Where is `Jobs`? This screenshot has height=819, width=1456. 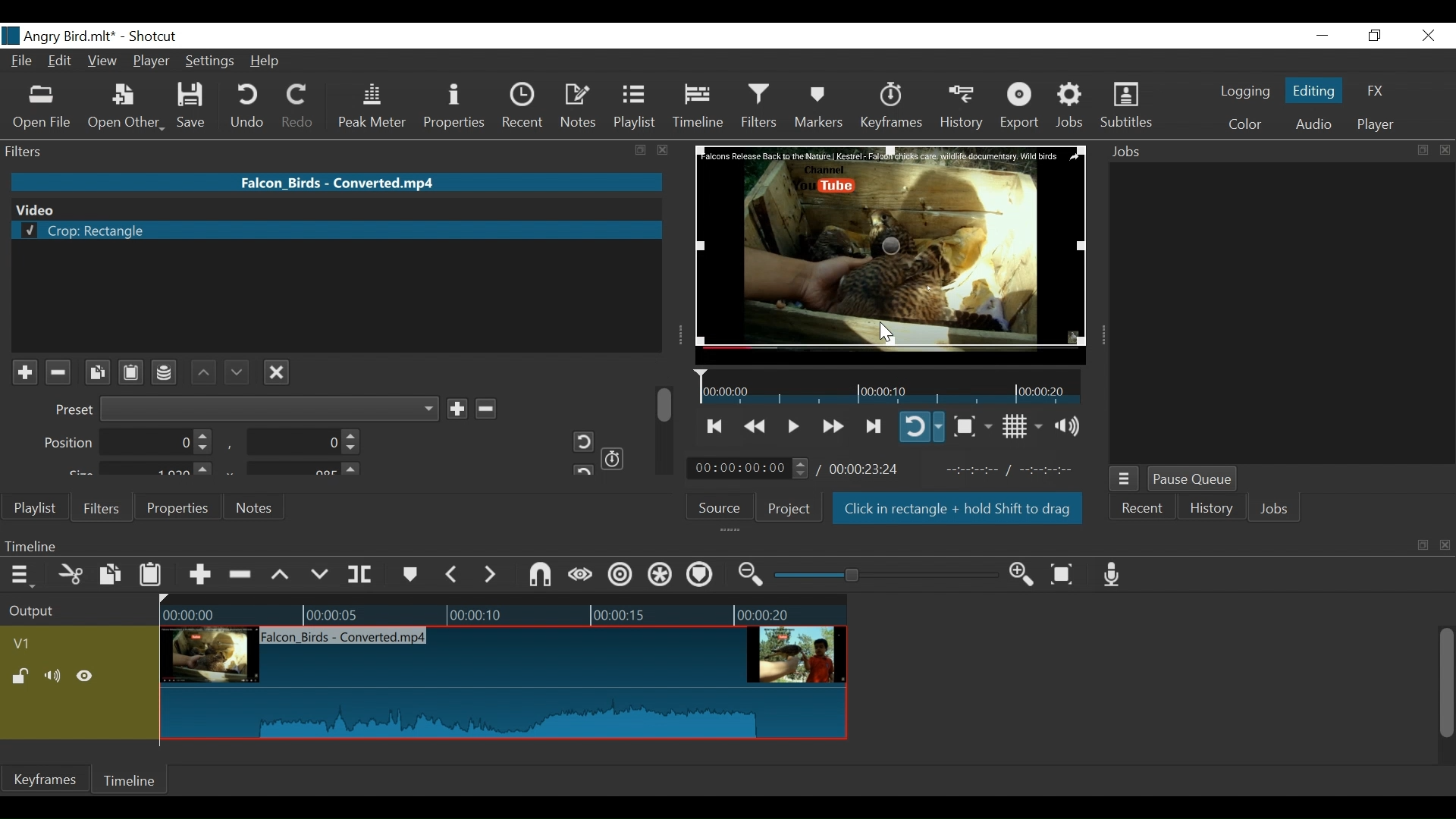 Jobs is located at coordinates (1131, 152).